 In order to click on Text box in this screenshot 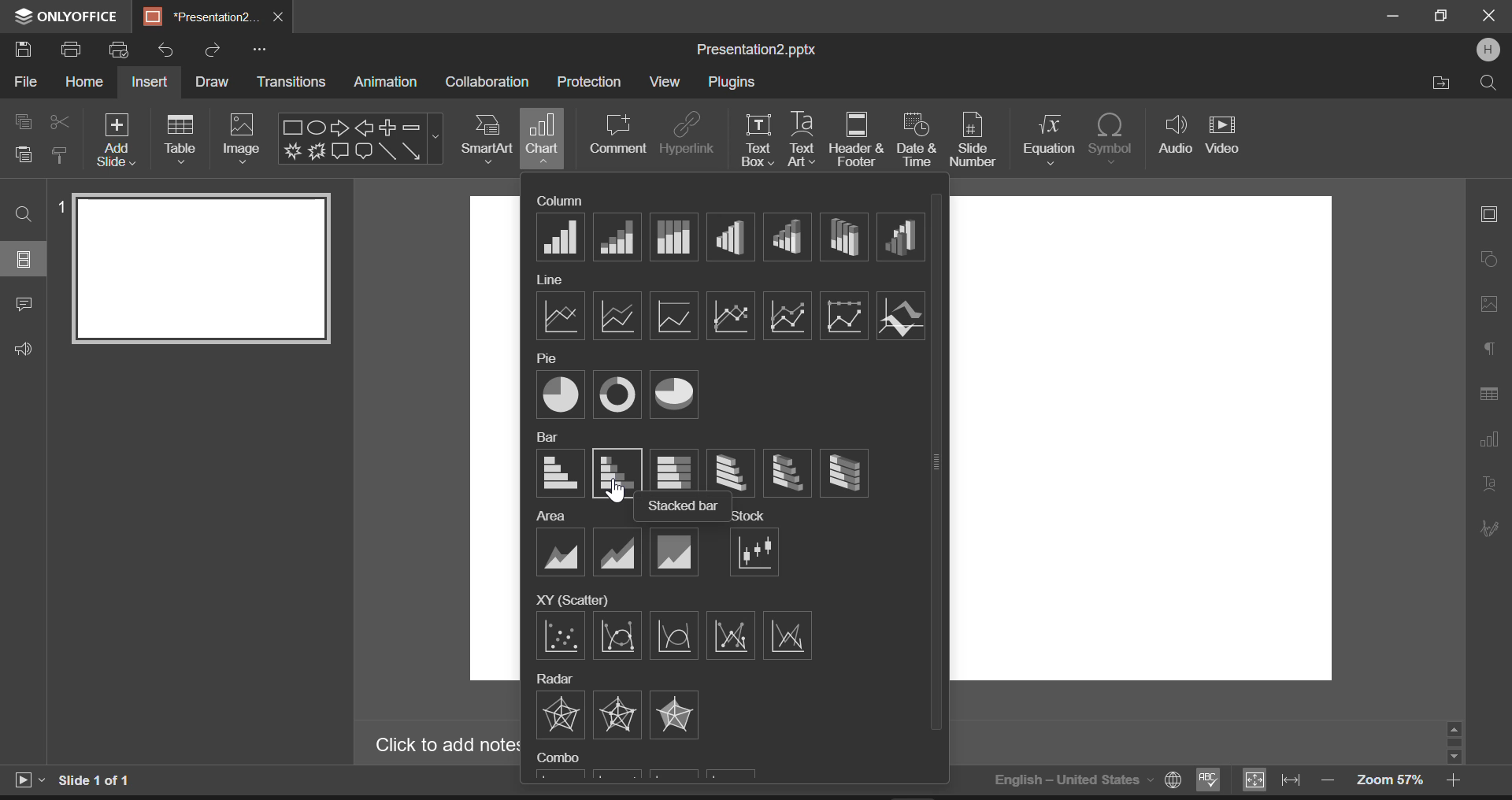, I will do `click(756, 140)`.